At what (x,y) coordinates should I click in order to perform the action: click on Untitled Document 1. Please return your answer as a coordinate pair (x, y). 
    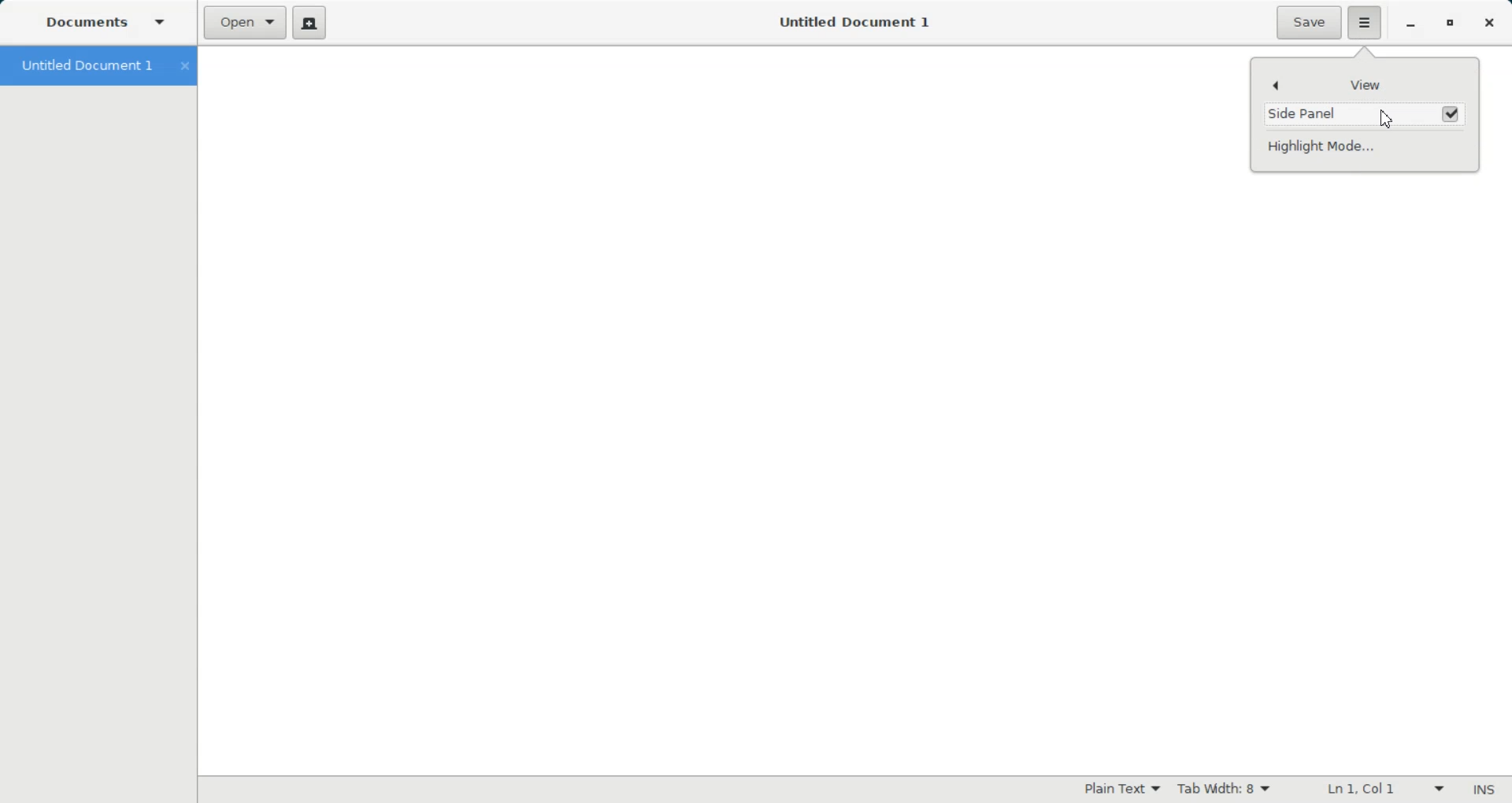
    Looking at the image, I should click on (858, 22).